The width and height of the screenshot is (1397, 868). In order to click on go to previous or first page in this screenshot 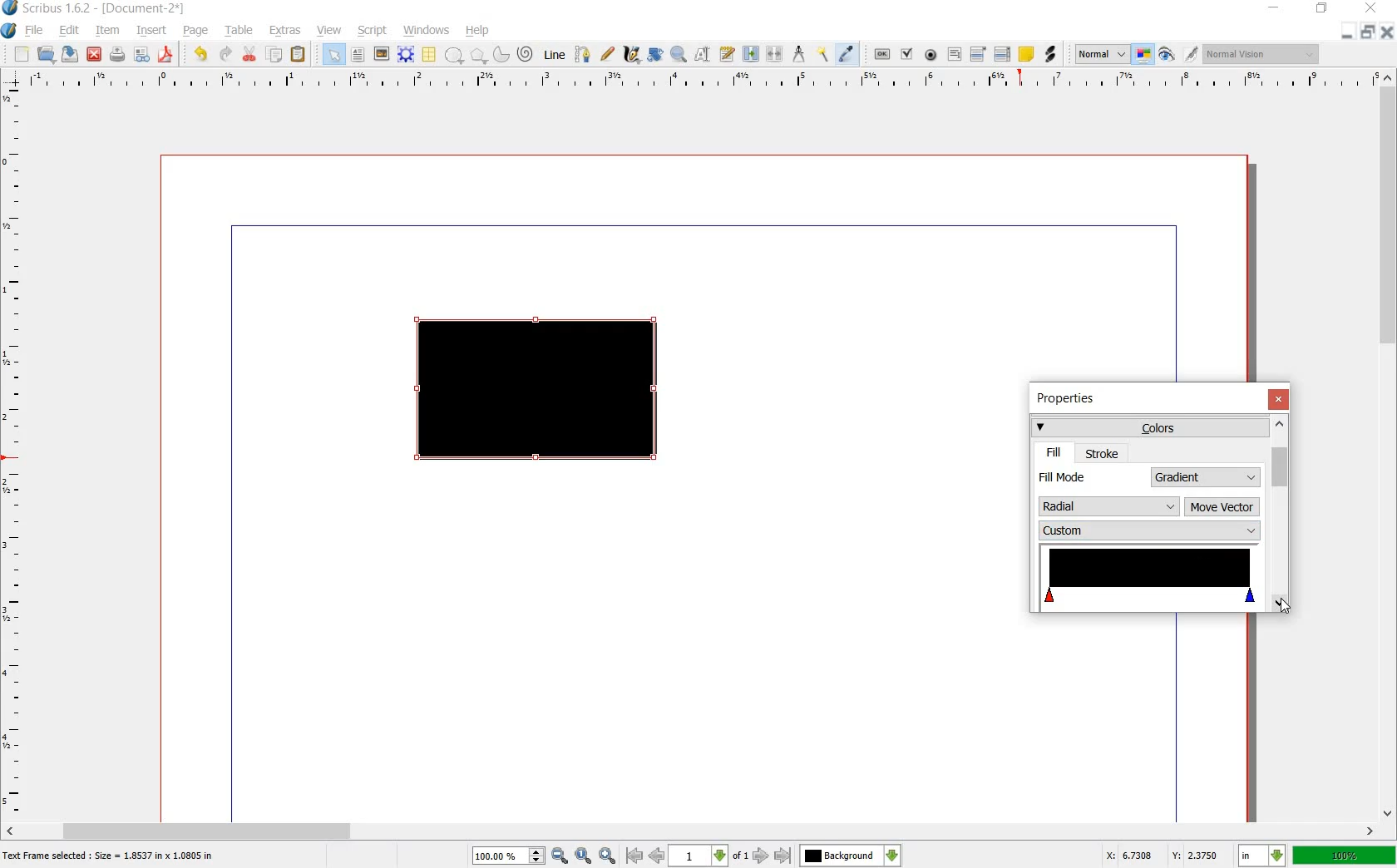, I will do `click(644, 856)`.